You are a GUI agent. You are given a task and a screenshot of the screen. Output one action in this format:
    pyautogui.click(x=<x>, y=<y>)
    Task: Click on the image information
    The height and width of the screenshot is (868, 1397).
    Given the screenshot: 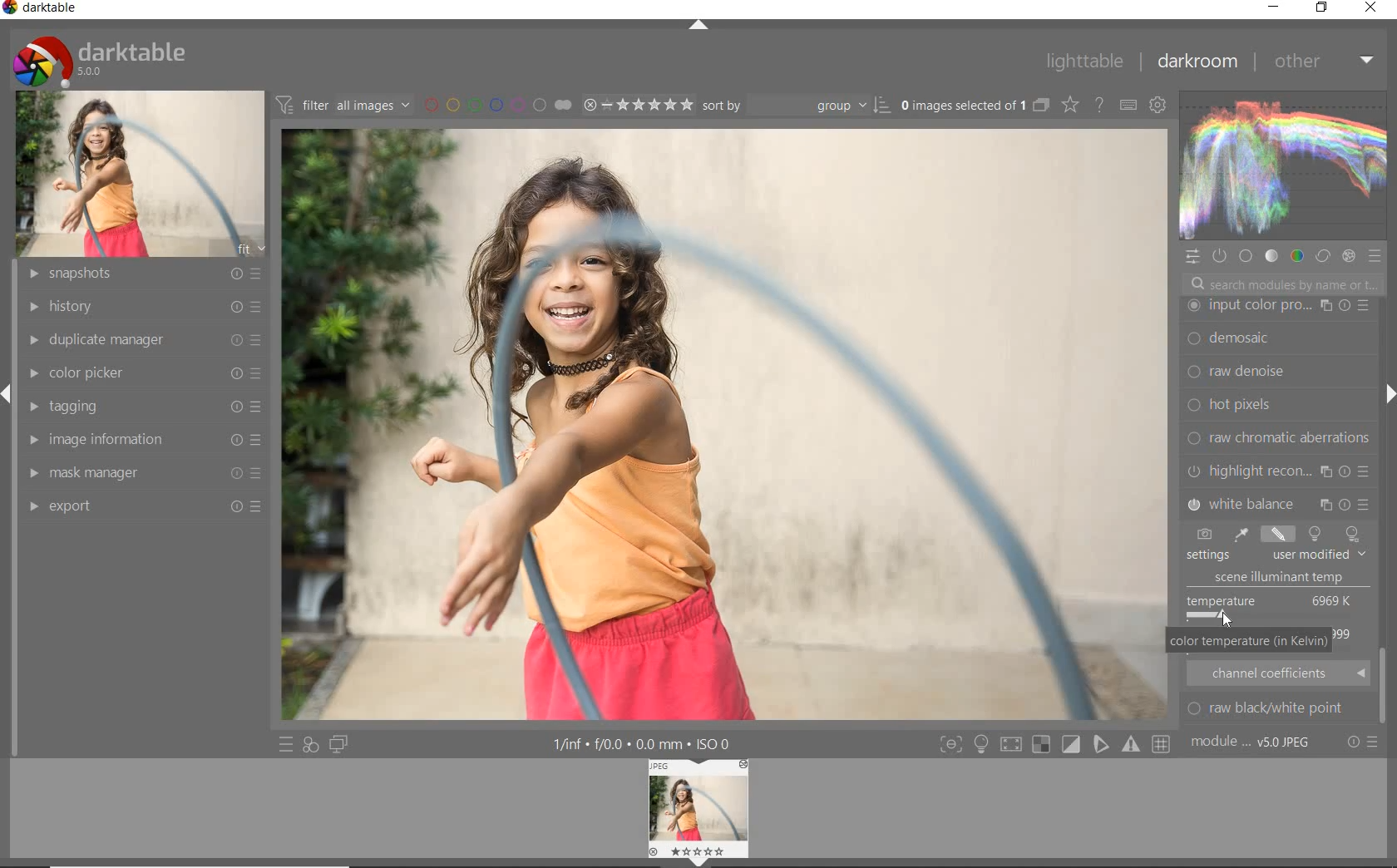 What is the action you would take?
    pyautogui.click(x=142, y=439)
    